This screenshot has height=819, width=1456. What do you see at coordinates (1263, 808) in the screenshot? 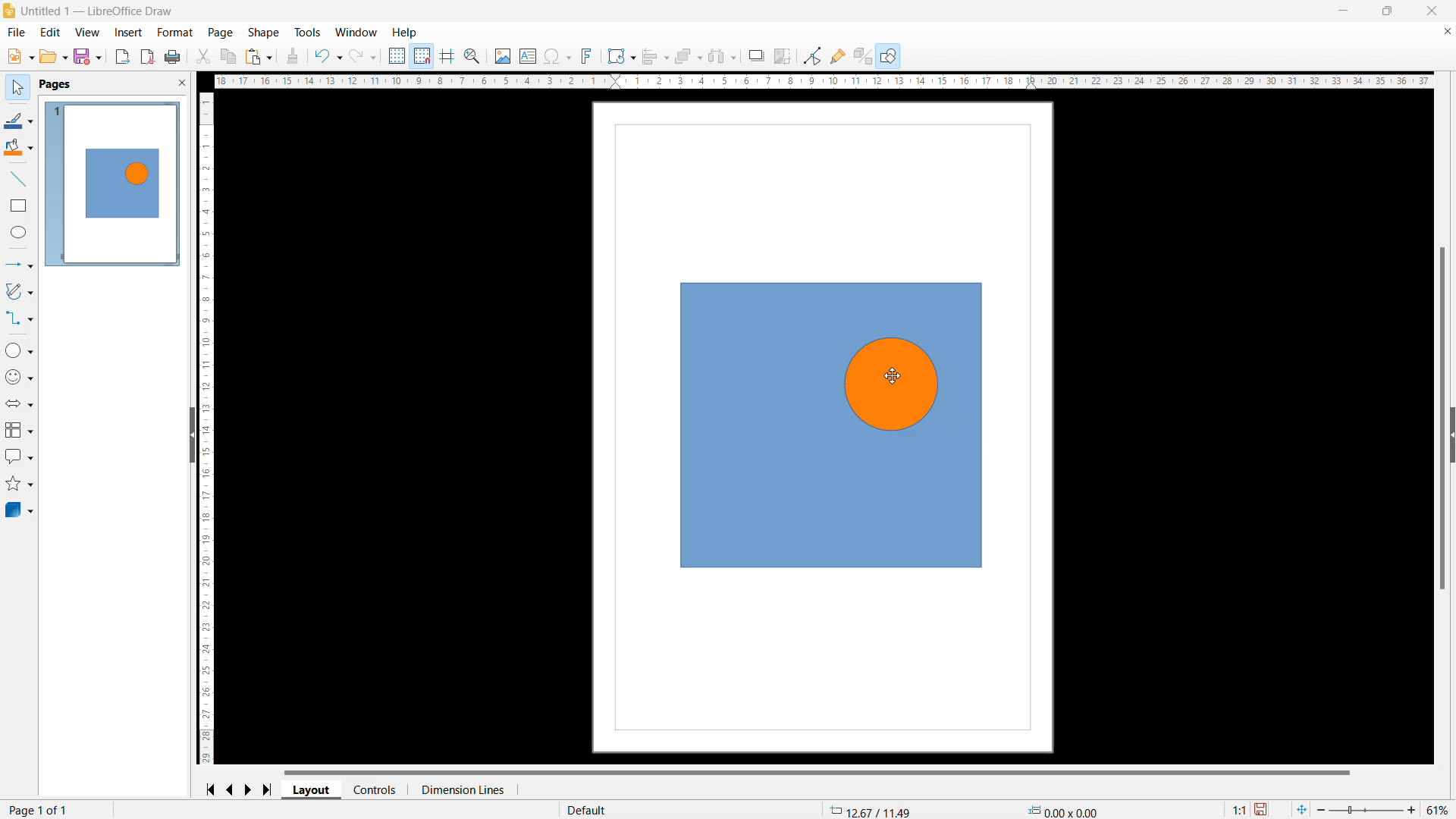
I see `save` at bounding box center [1263, 808].